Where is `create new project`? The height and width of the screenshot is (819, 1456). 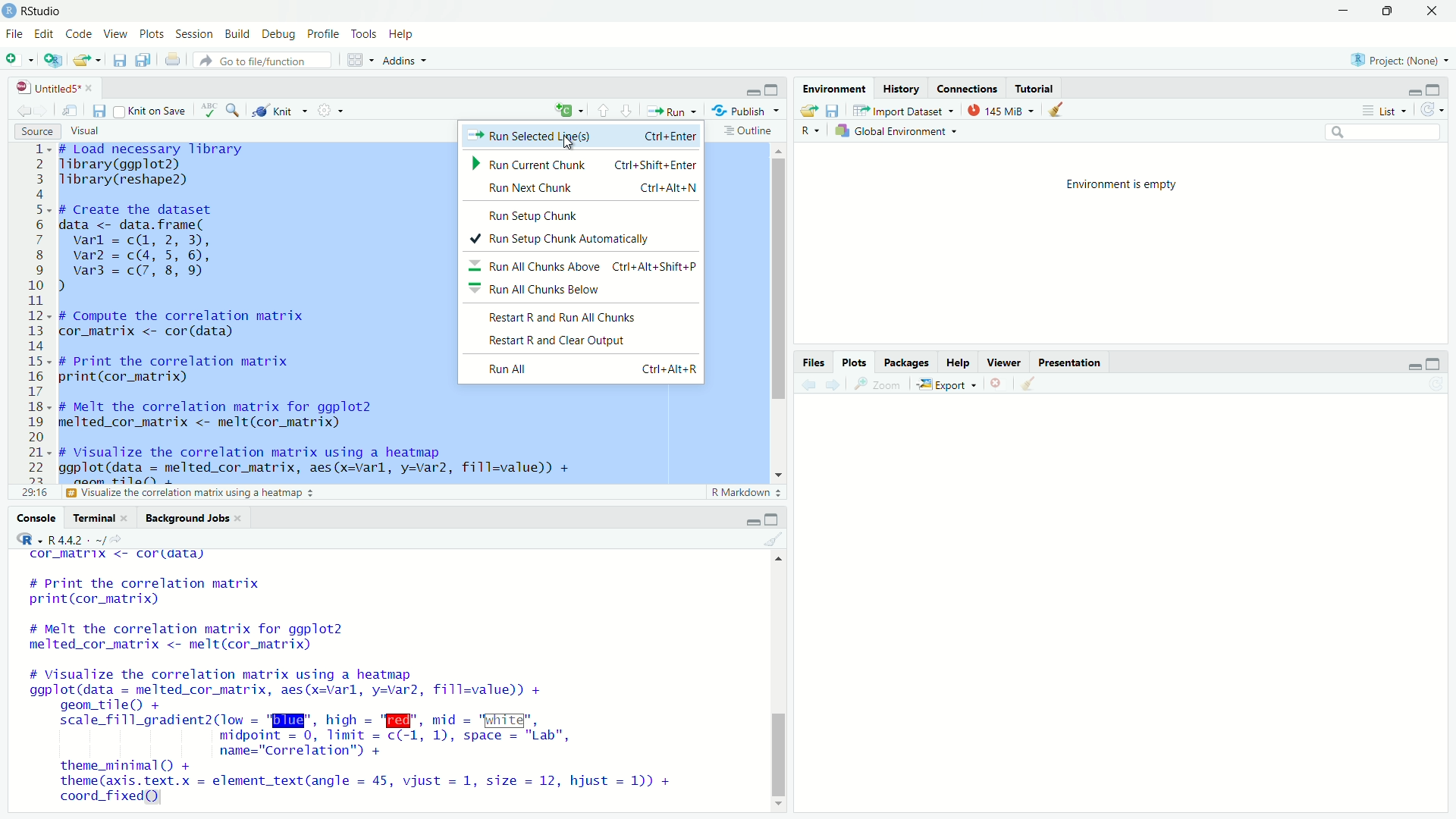
create new project is located at coordinates (51, 59).